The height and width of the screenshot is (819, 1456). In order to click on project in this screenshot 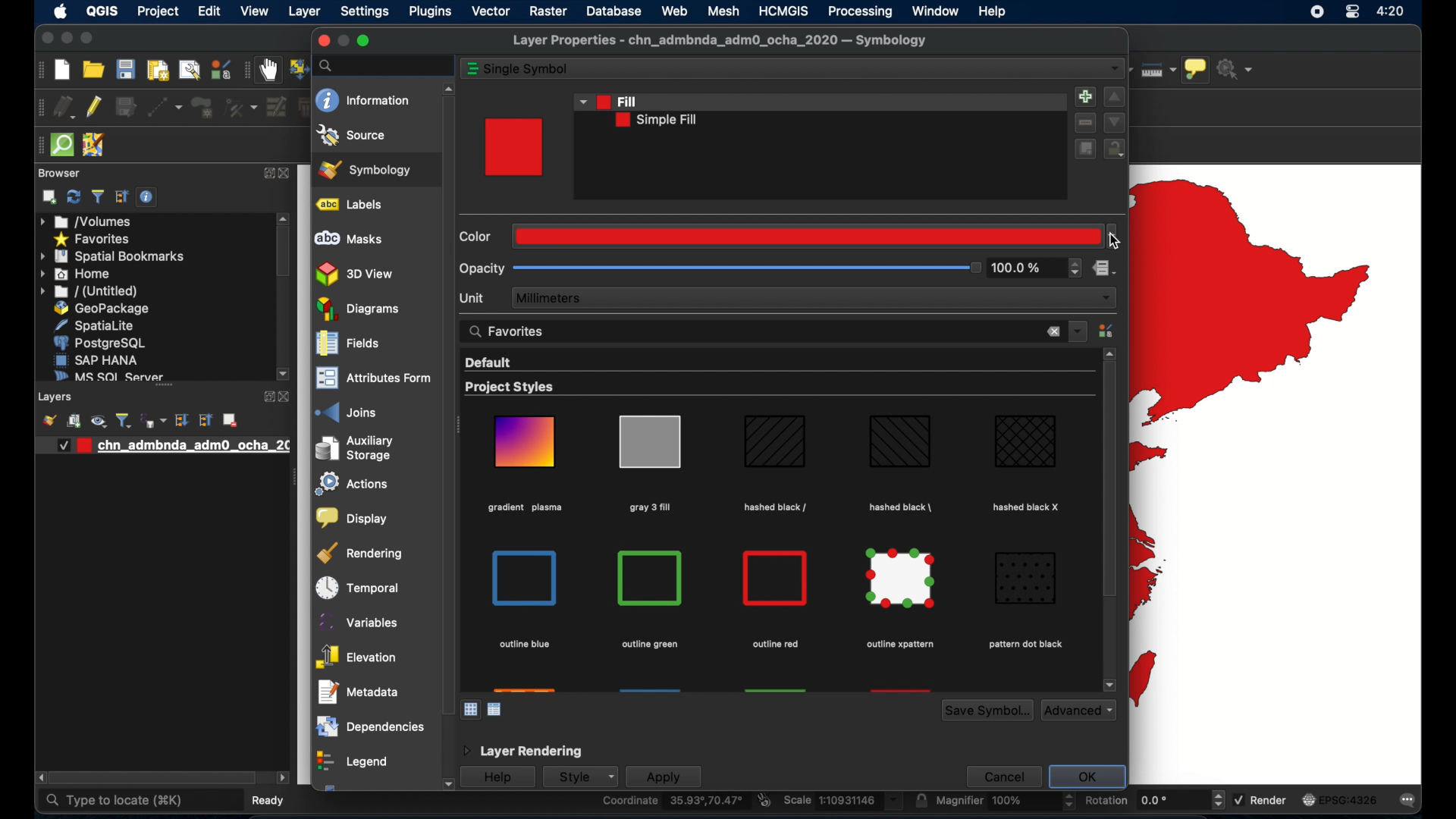, I will do `click(157, 13)`.